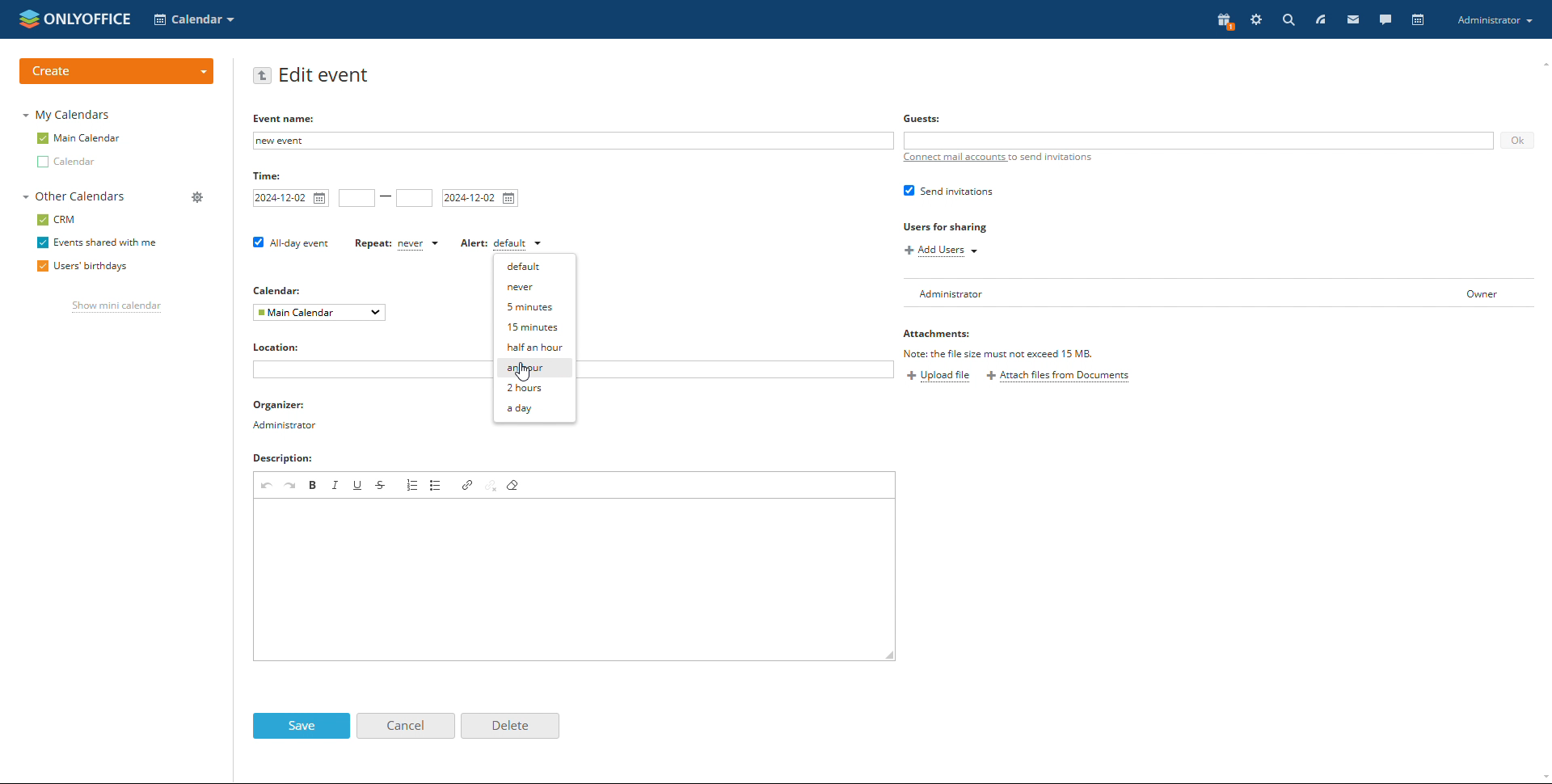 The width and height of the screenshot is (1552, 784). Describe the element at coordinates (414, 485) in the screenshot. I see `insert/remove numbered list` at that location.